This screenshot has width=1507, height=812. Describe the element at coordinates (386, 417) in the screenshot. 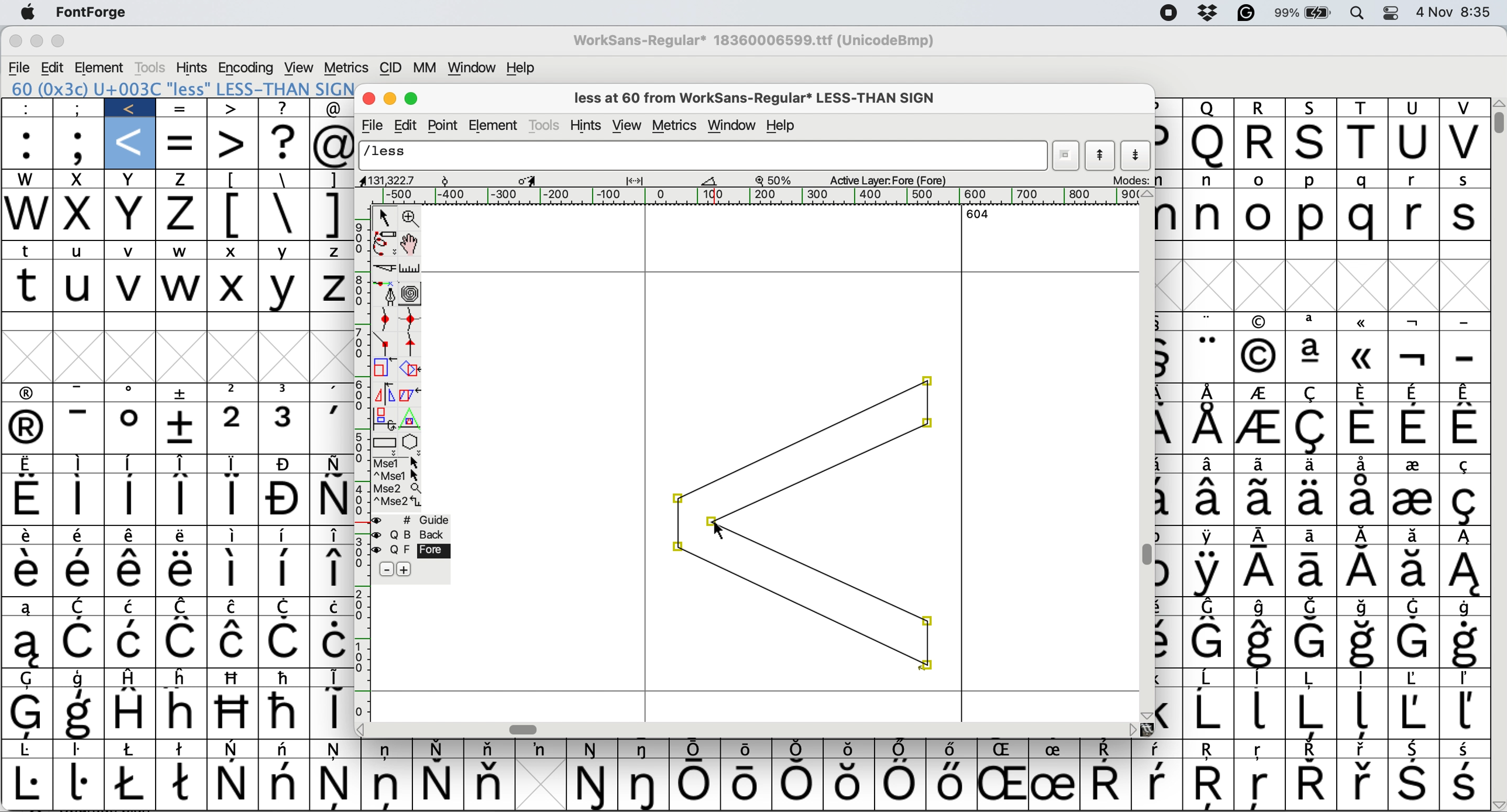

I see `rotate selection in 3d and project it back to plane` at that location.